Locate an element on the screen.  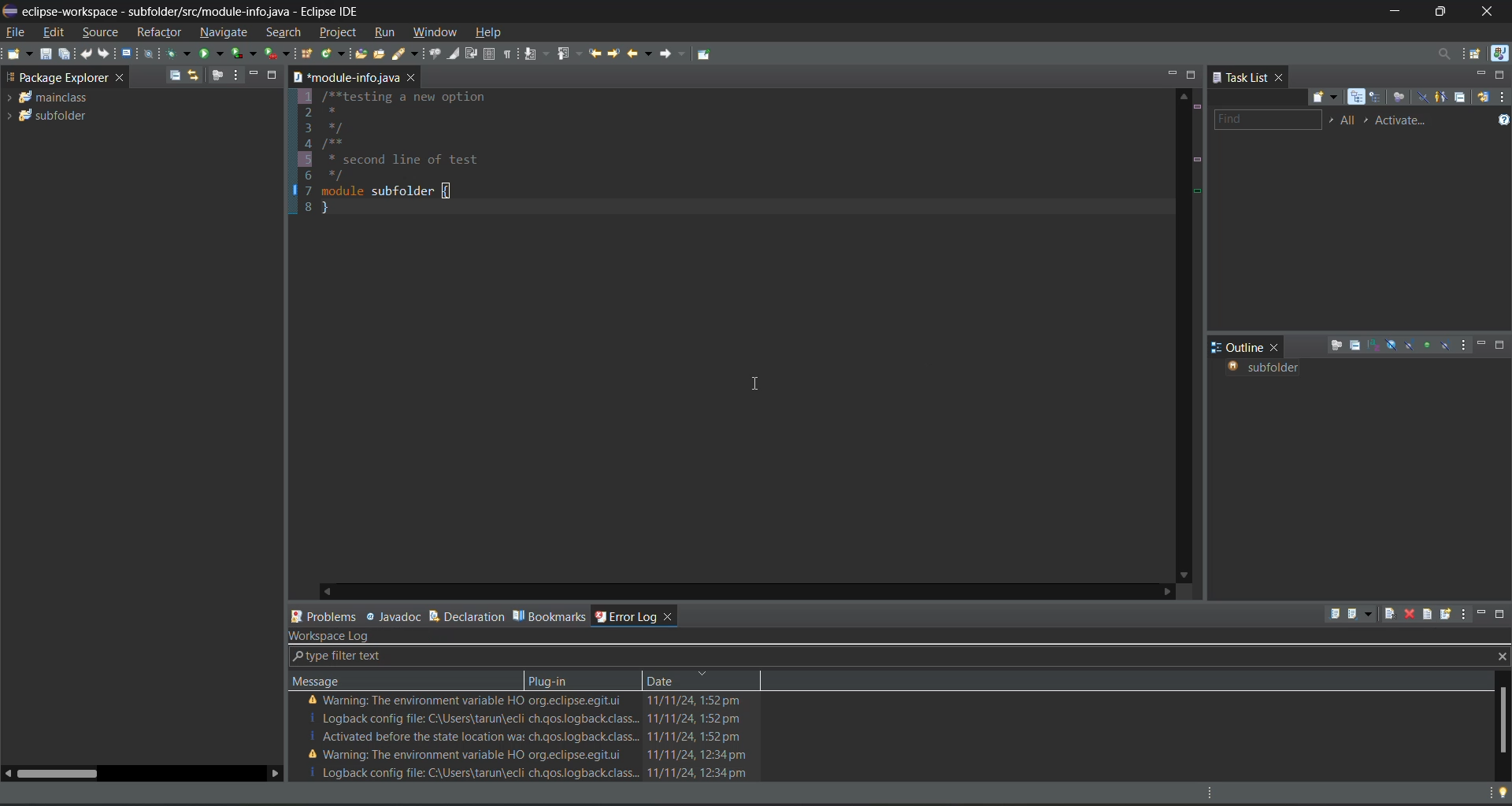
minimize is located at coordinates (1484, 614).